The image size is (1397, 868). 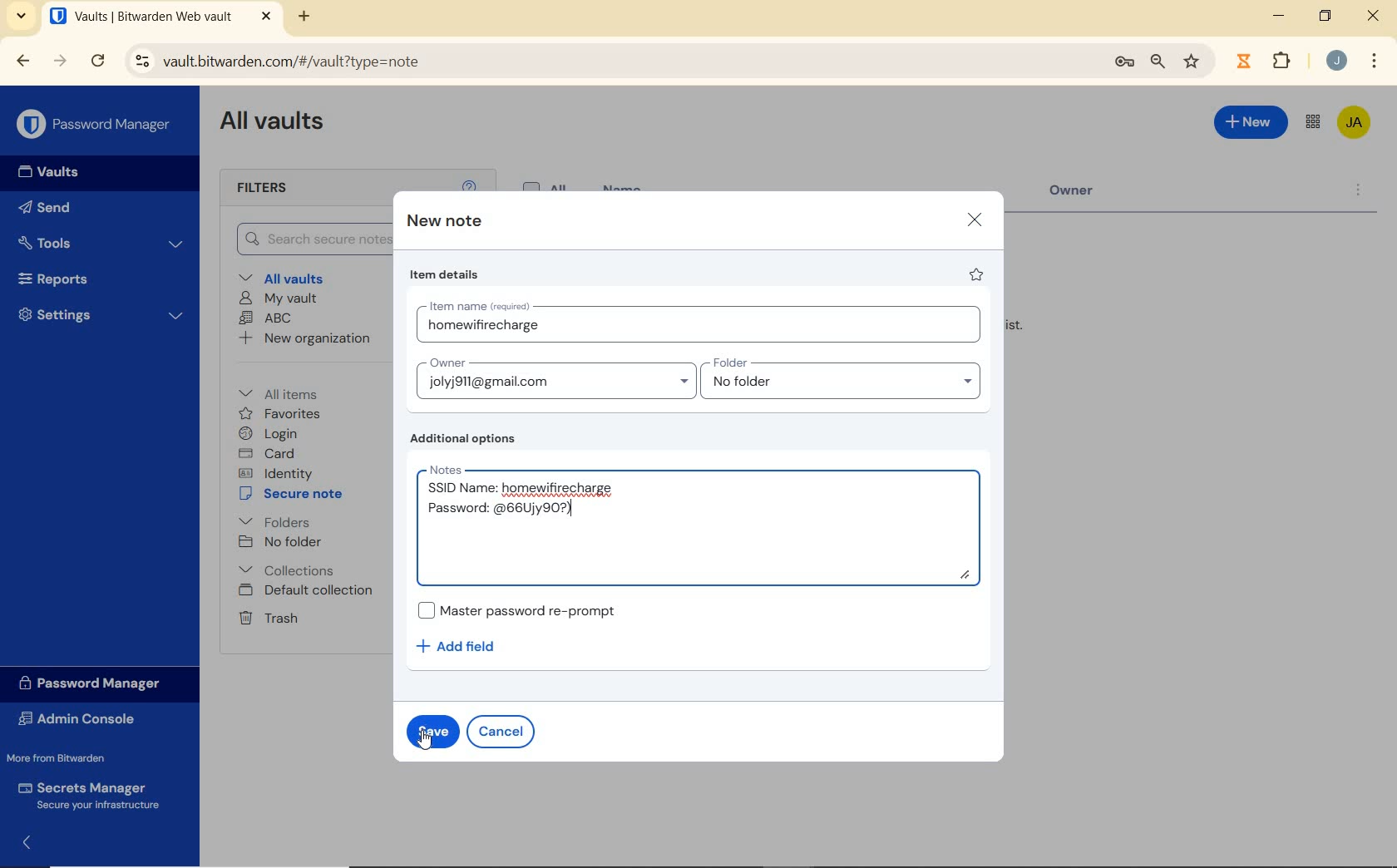 What do you see at coordinates (306, 240) in the screenshot?
I see `Search Vault` at bounding box center [306, 240].